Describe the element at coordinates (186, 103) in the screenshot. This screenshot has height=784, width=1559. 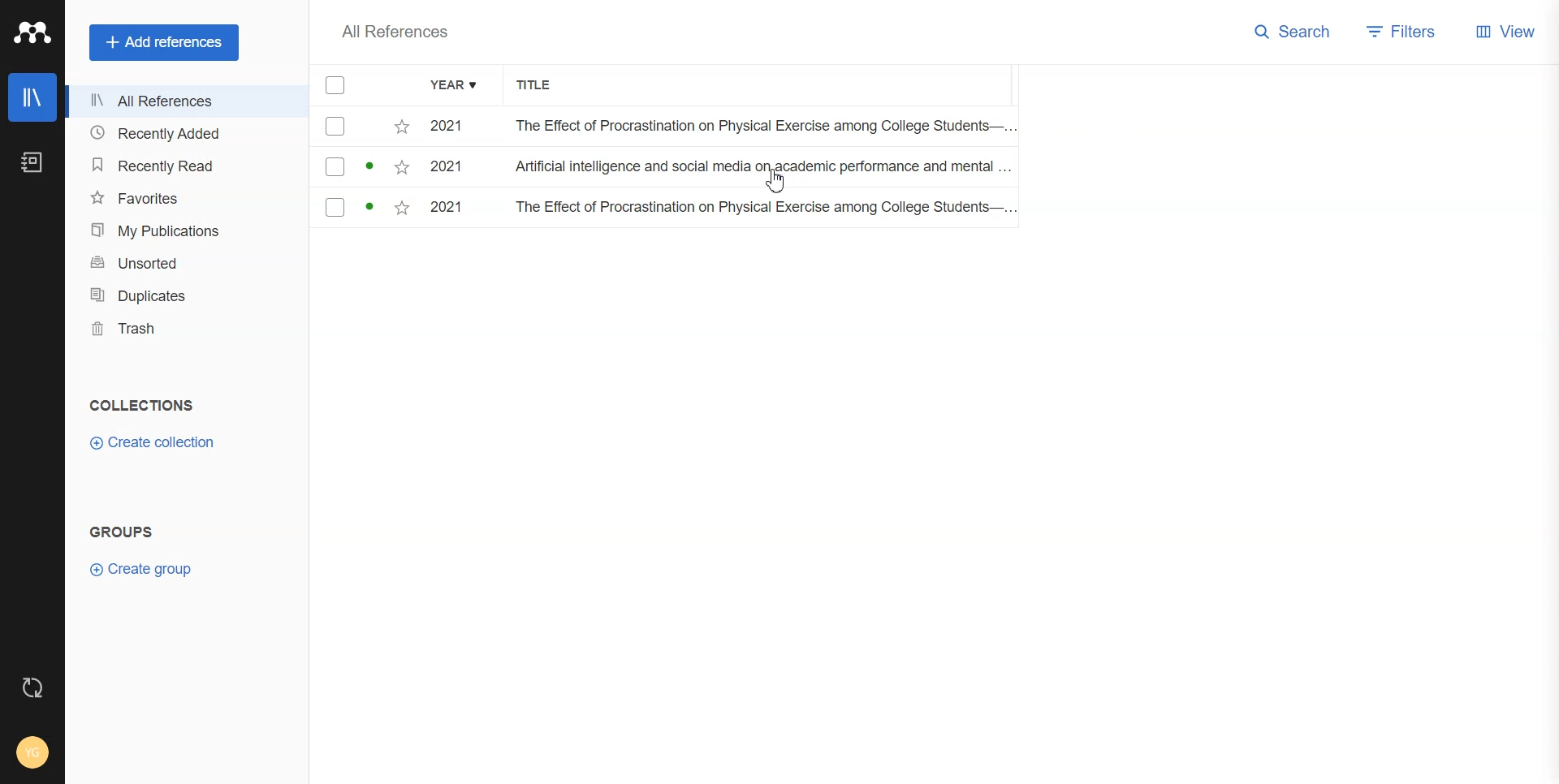
I see `All References` at that location.